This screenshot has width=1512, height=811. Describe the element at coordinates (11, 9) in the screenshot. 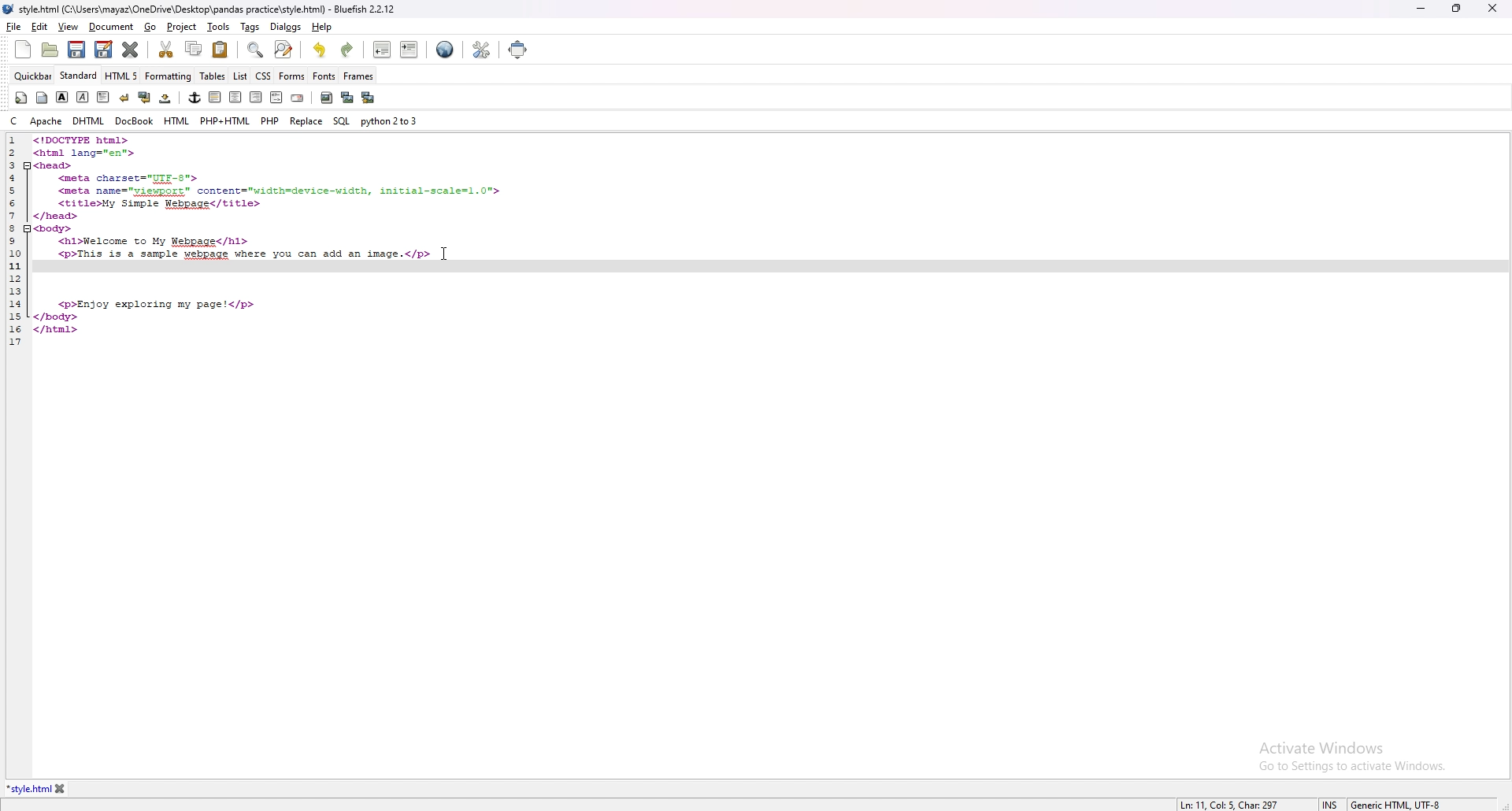

I see `logo` at that location.